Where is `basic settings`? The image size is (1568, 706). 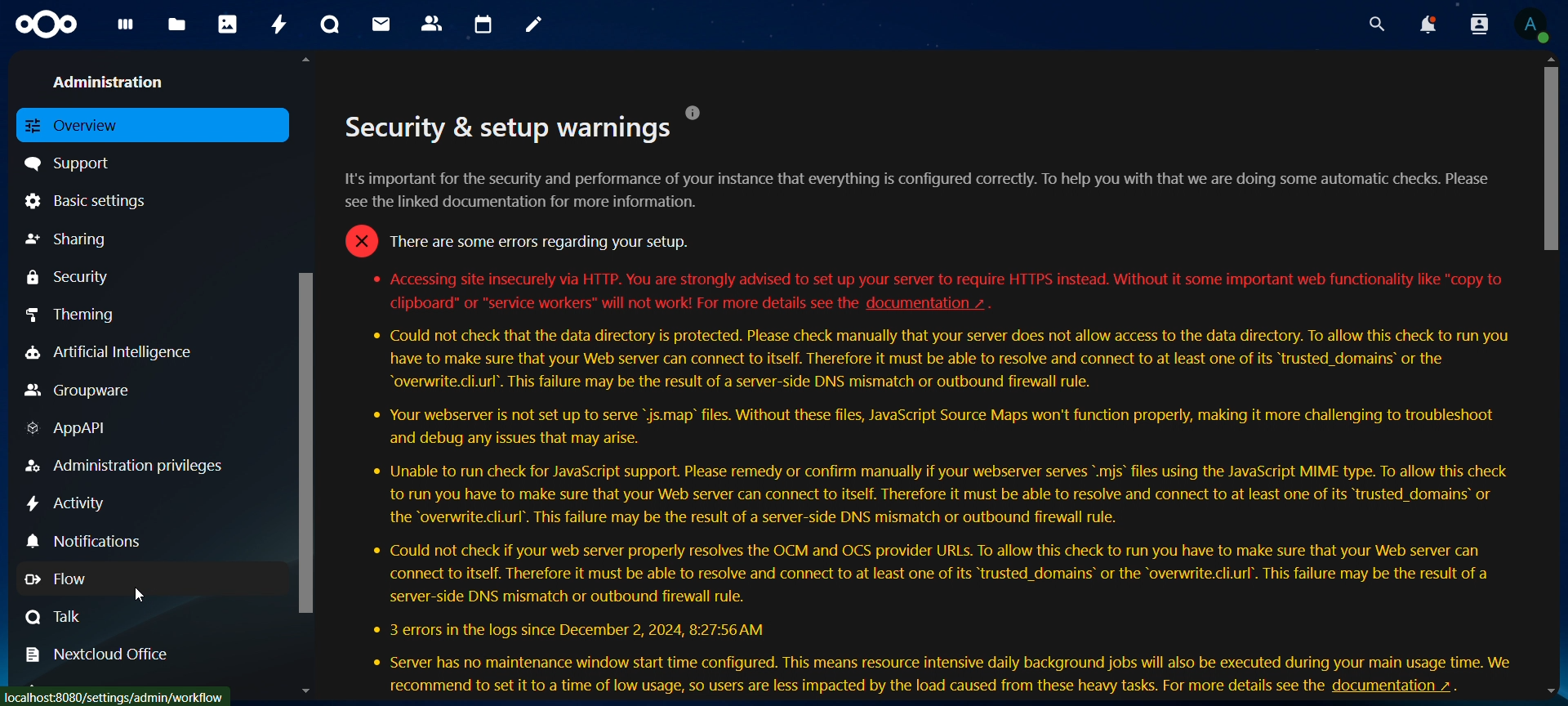 basic settings is located at coordinates (91, 200).